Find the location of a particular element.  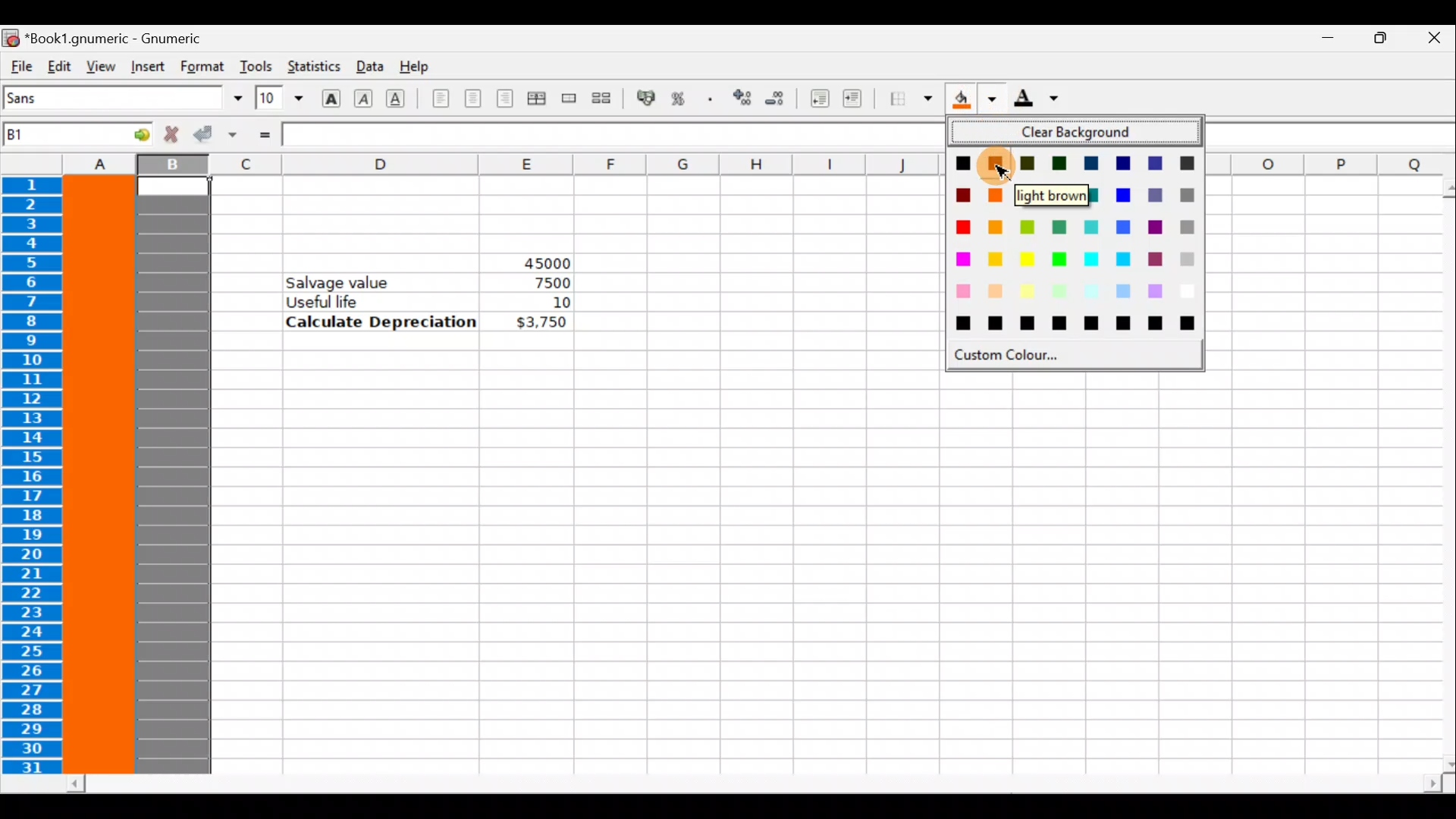

light brown is located at coordinates (1056, 194).